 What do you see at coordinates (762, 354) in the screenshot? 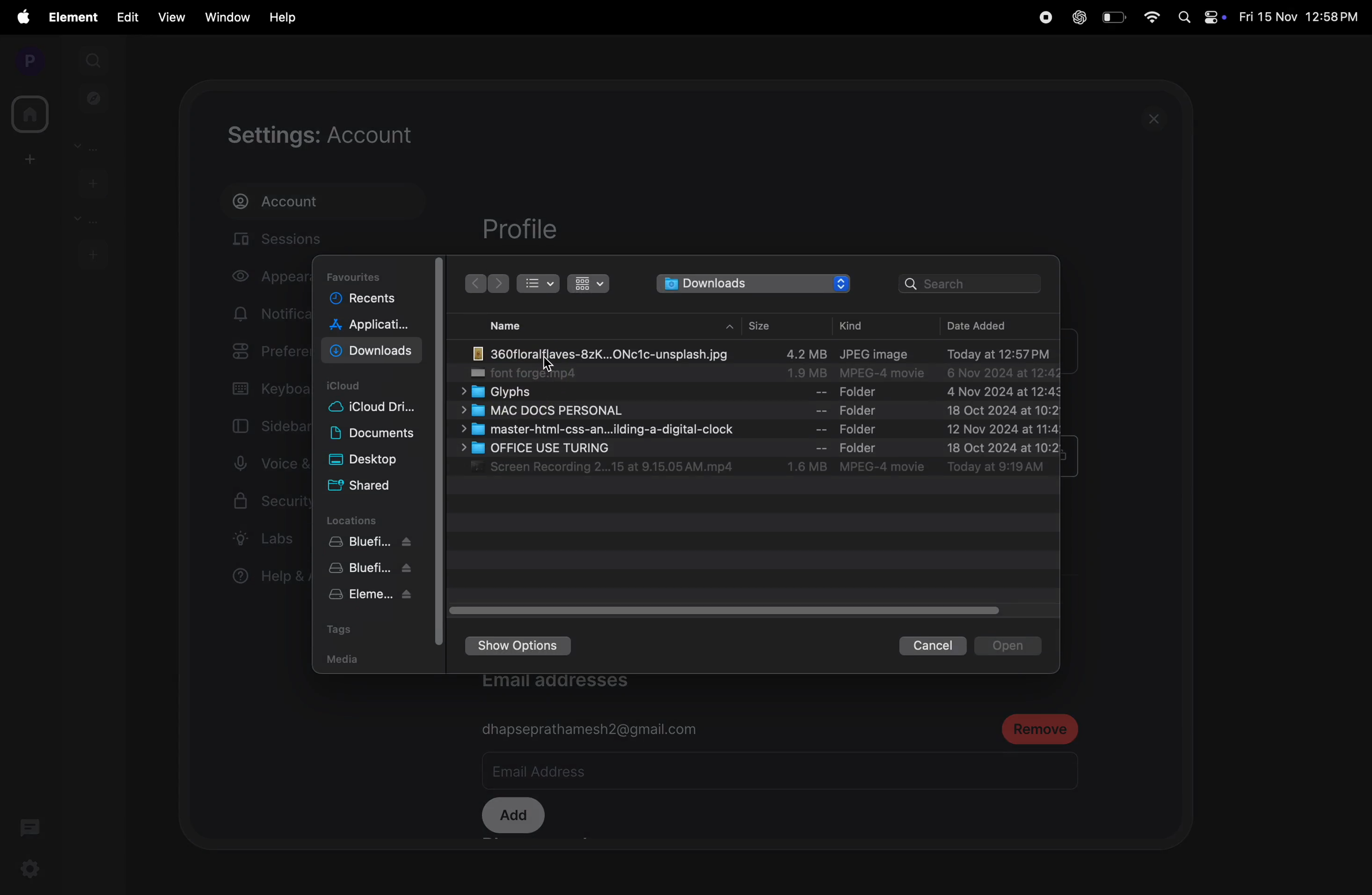
I see `image` at bounding box center [762, 354].